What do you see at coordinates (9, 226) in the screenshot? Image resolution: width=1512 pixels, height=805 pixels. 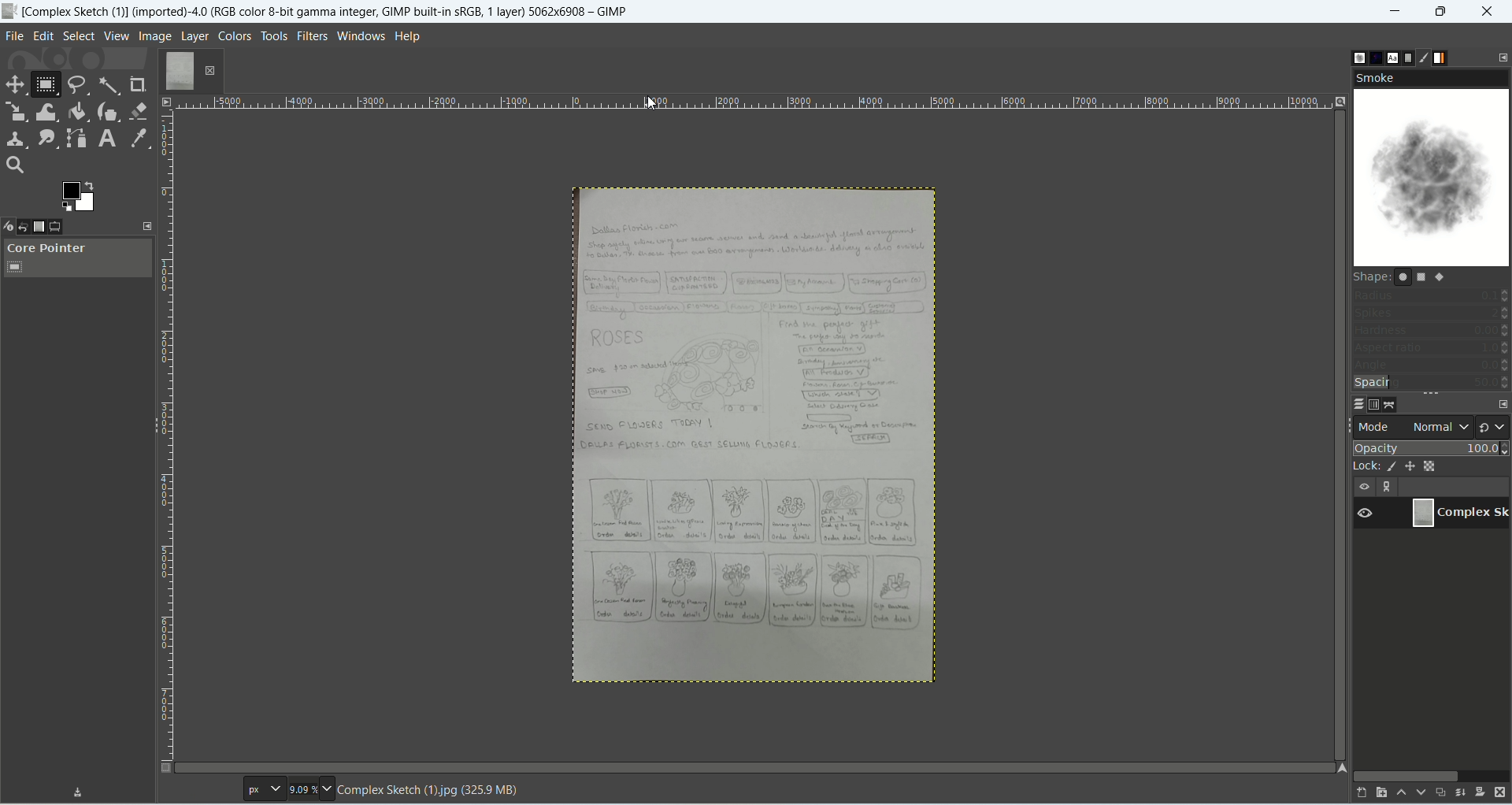 I see `` at bounding box center [9, 226].